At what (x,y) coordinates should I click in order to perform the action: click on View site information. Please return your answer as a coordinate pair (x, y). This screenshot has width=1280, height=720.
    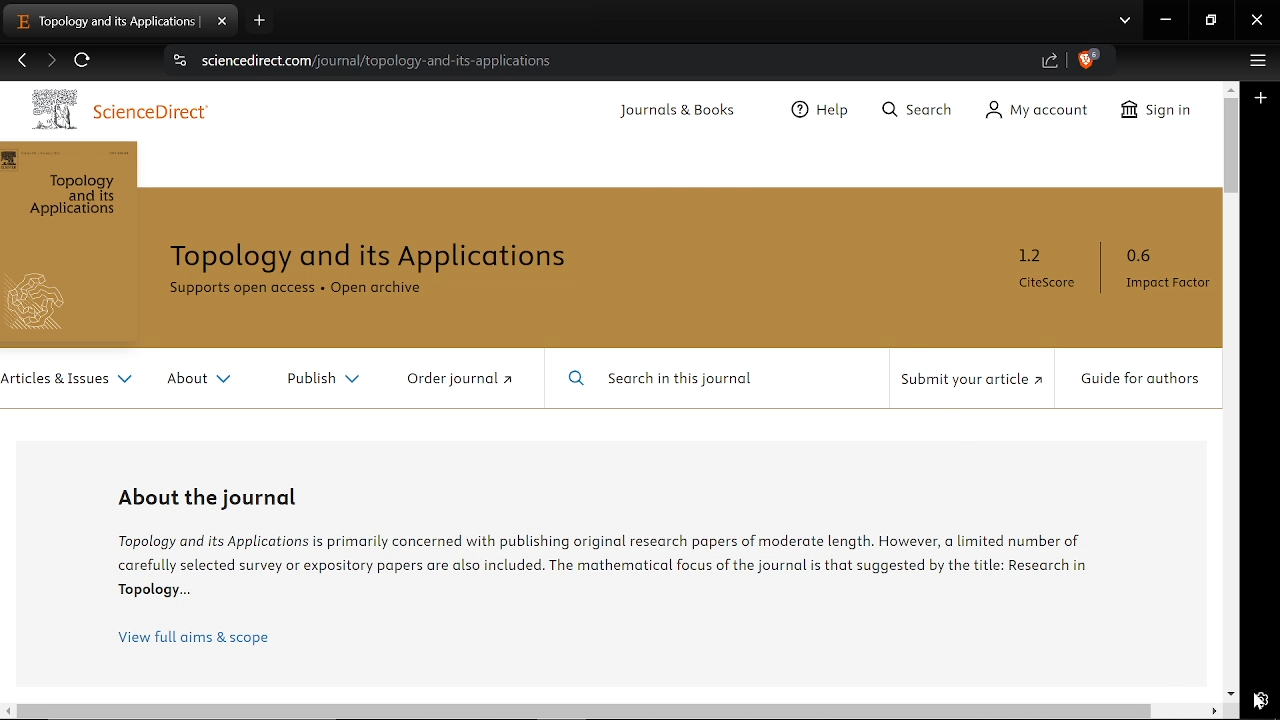
    Looking at the image, I should click on (178, 62).